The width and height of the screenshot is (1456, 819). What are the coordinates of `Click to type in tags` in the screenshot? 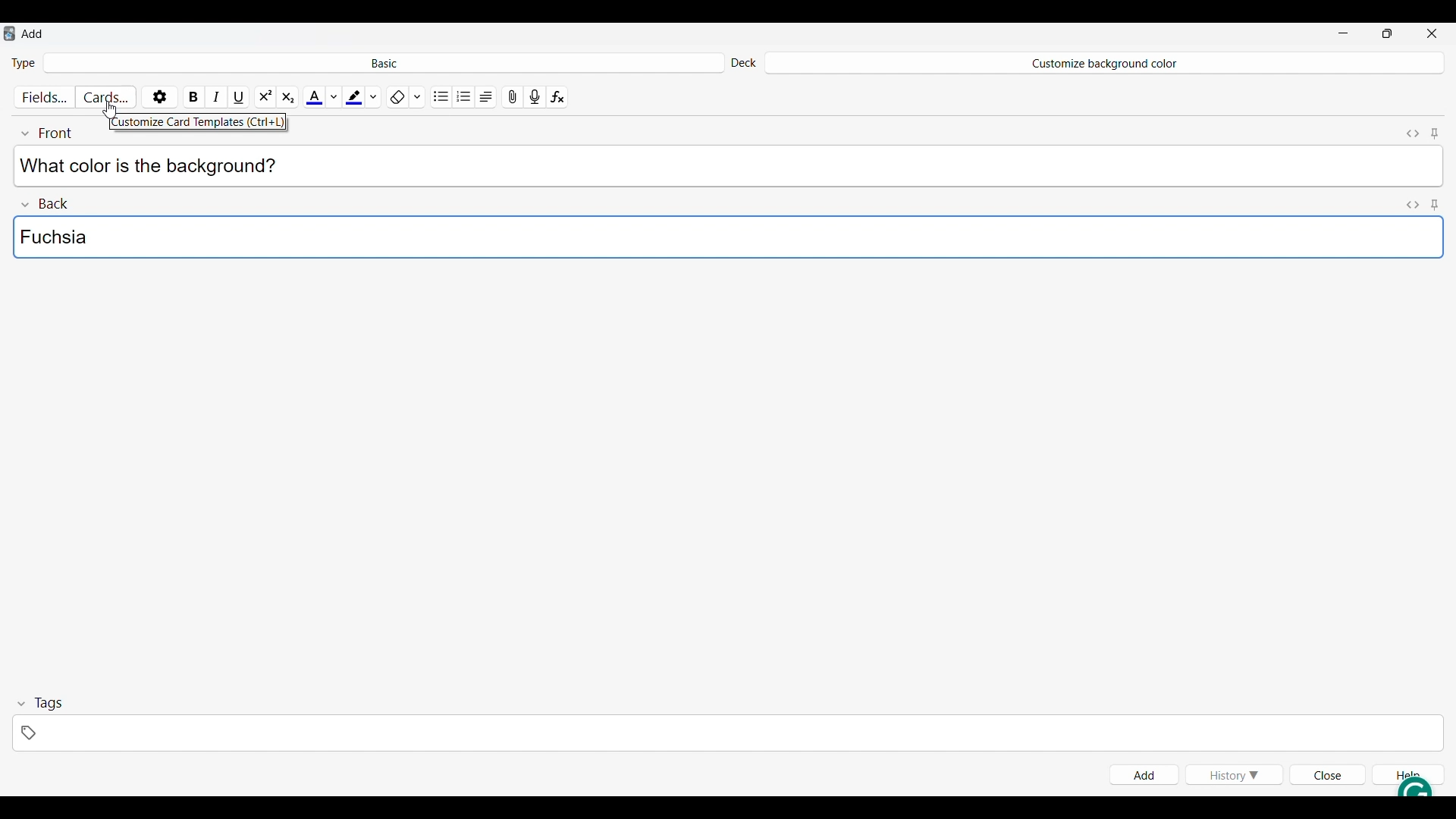 It's located at (727, 733).